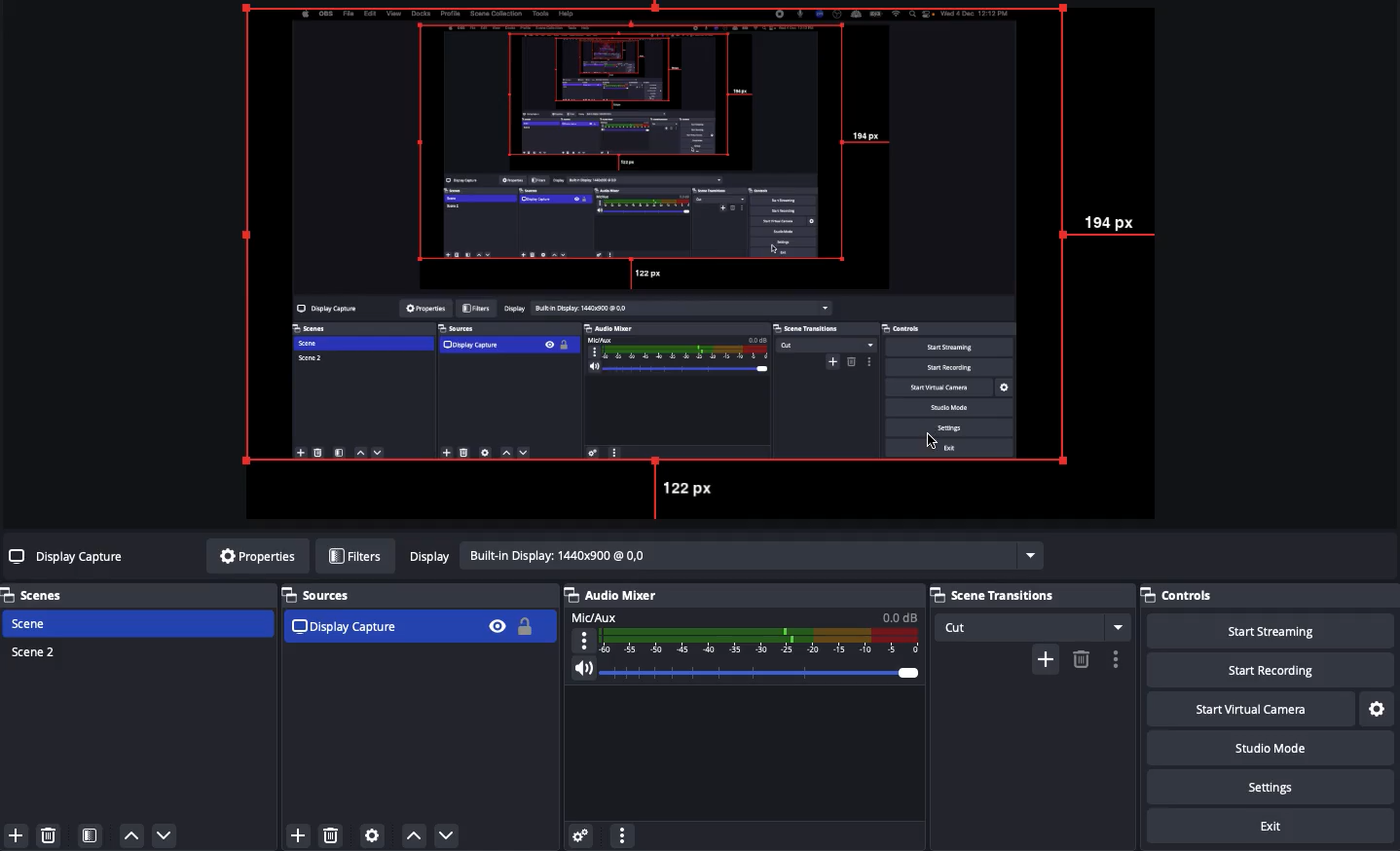  What do you see at coordinates (660, 237) in the screenshot?
I see `Snapped to edge` at bounding box center [660, 237].